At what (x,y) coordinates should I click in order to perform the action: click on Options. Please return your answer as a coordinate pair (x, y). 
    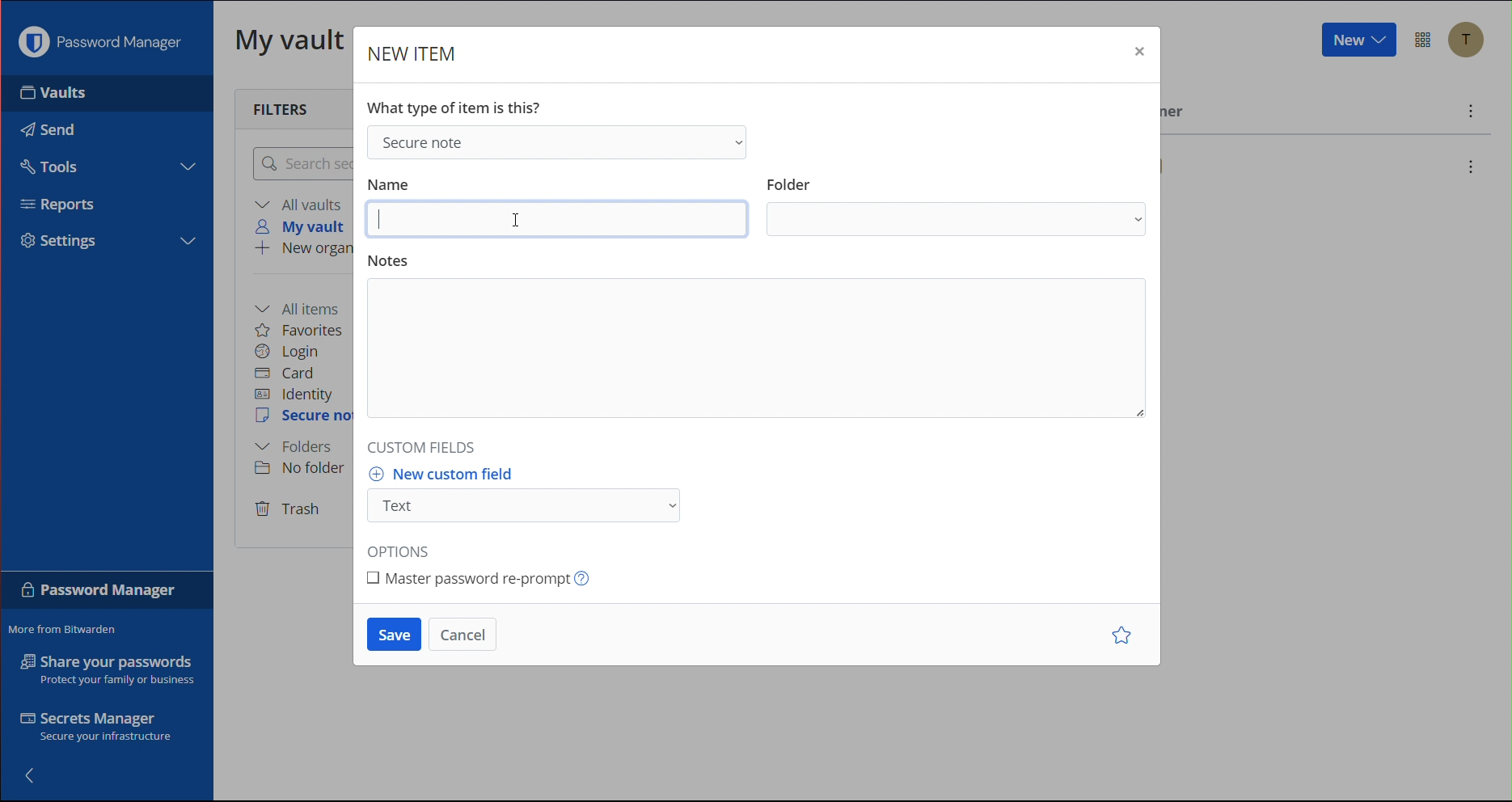
    Looking at the image, I should click on (1425, 40).